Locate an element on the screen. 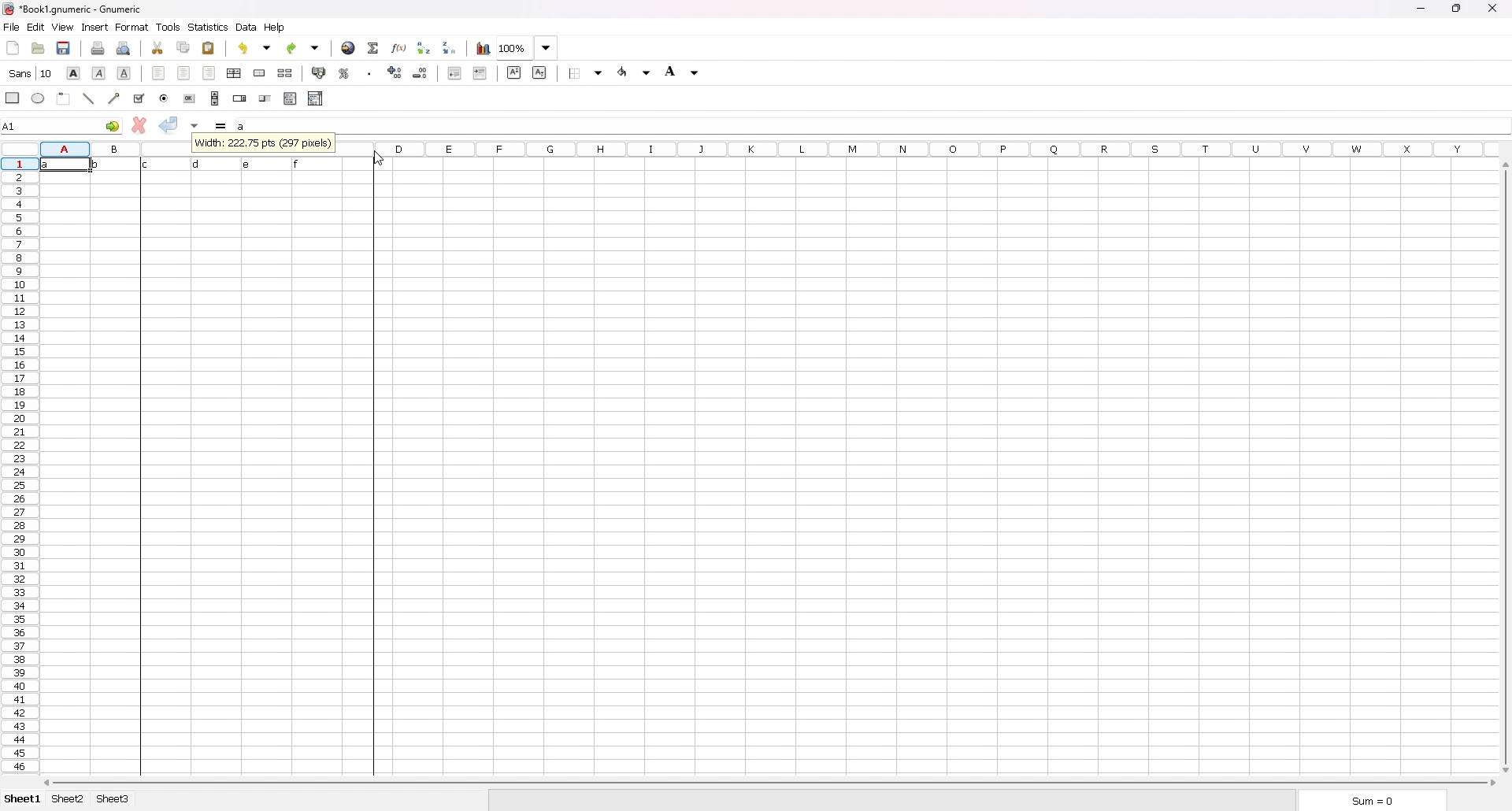 The width and height of the screenshot is (1512, 811). sum is located at coordinates (1368, 799).